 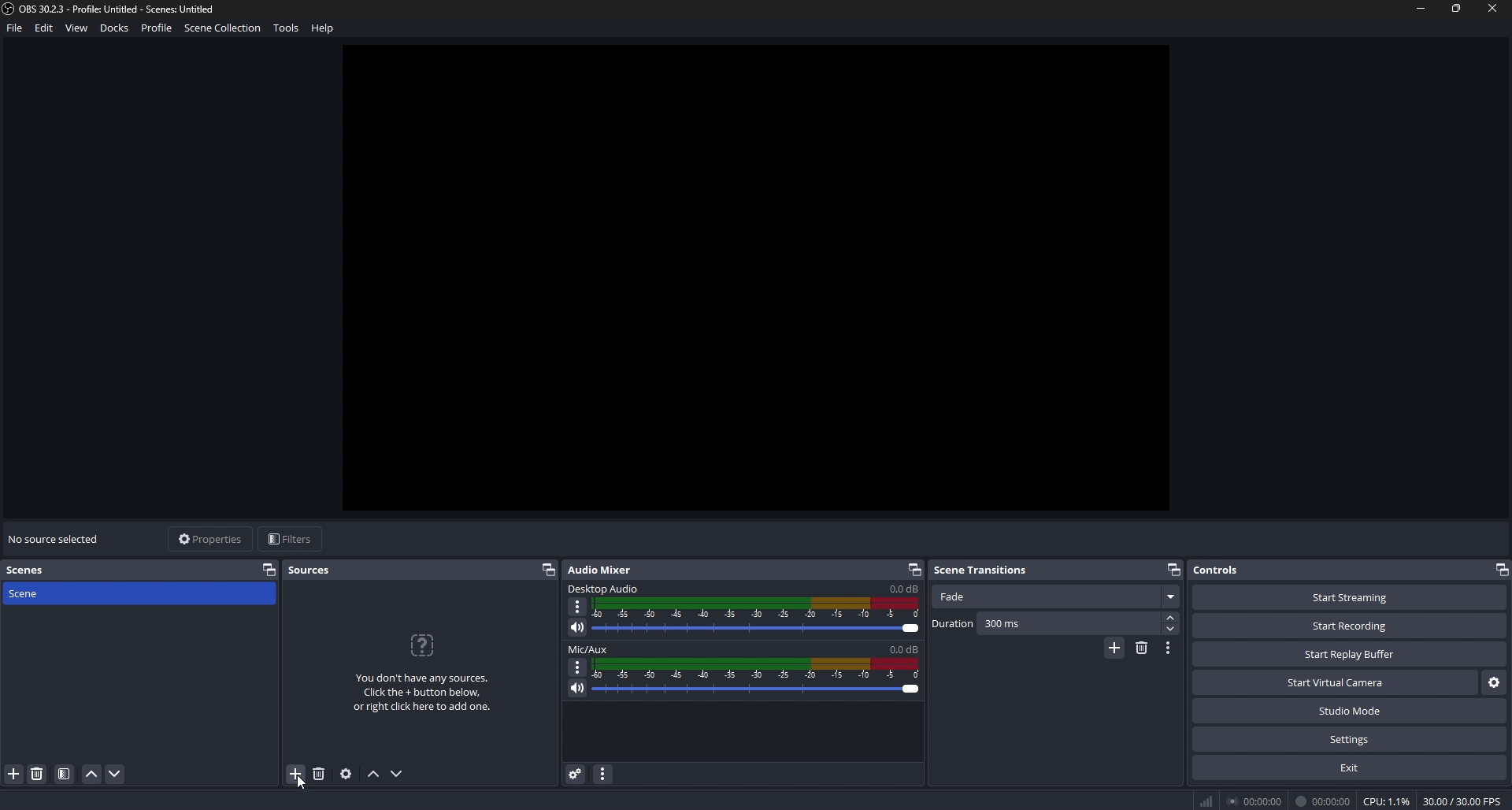 What do you see at coordinates (756, 679) in the screenshot?
I see `volume adjust` at bounding box center [756, 679].